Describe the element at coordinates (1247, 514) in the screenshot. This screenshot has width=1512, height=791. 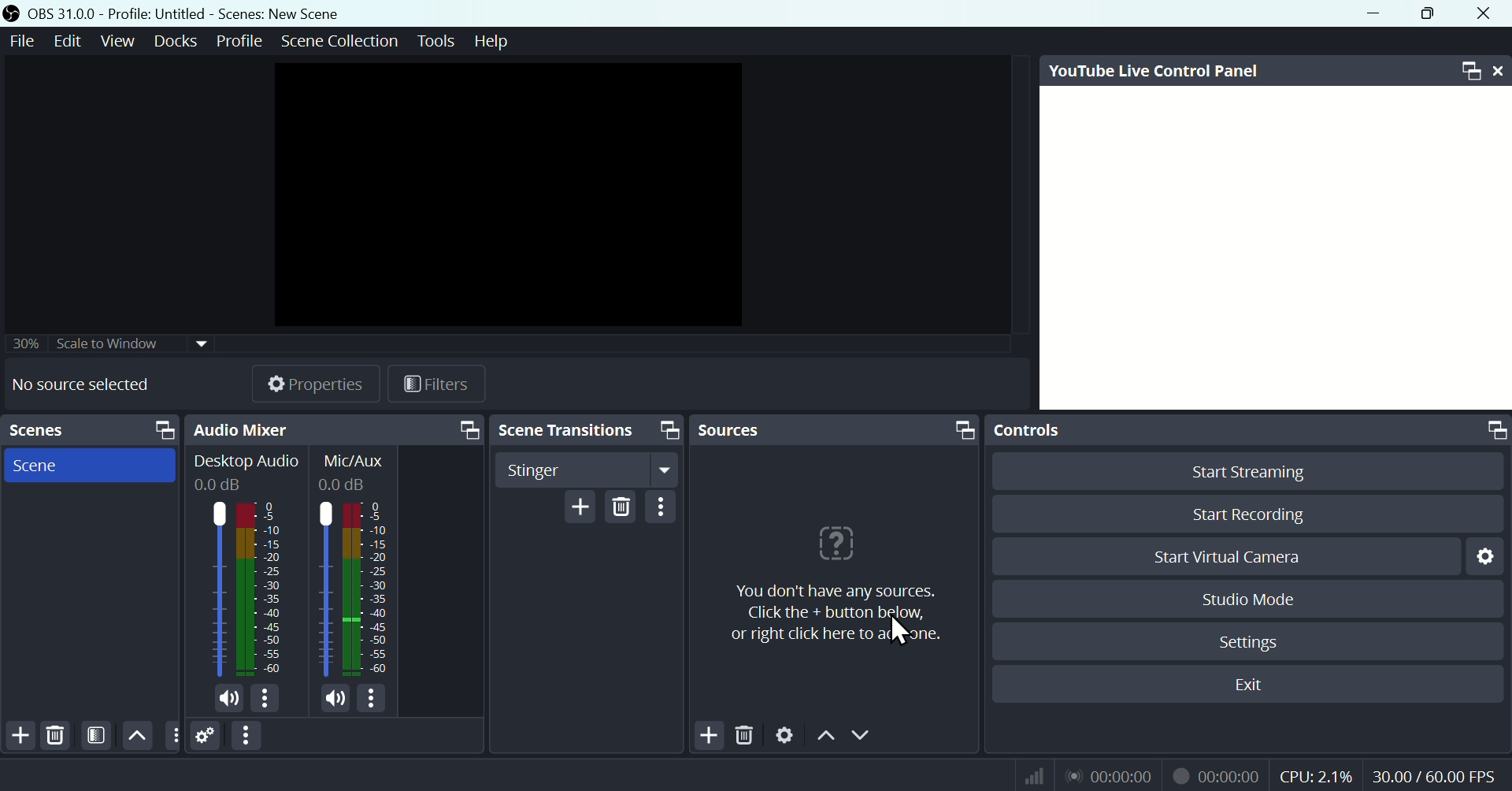
I see `Start Recording` at that location.